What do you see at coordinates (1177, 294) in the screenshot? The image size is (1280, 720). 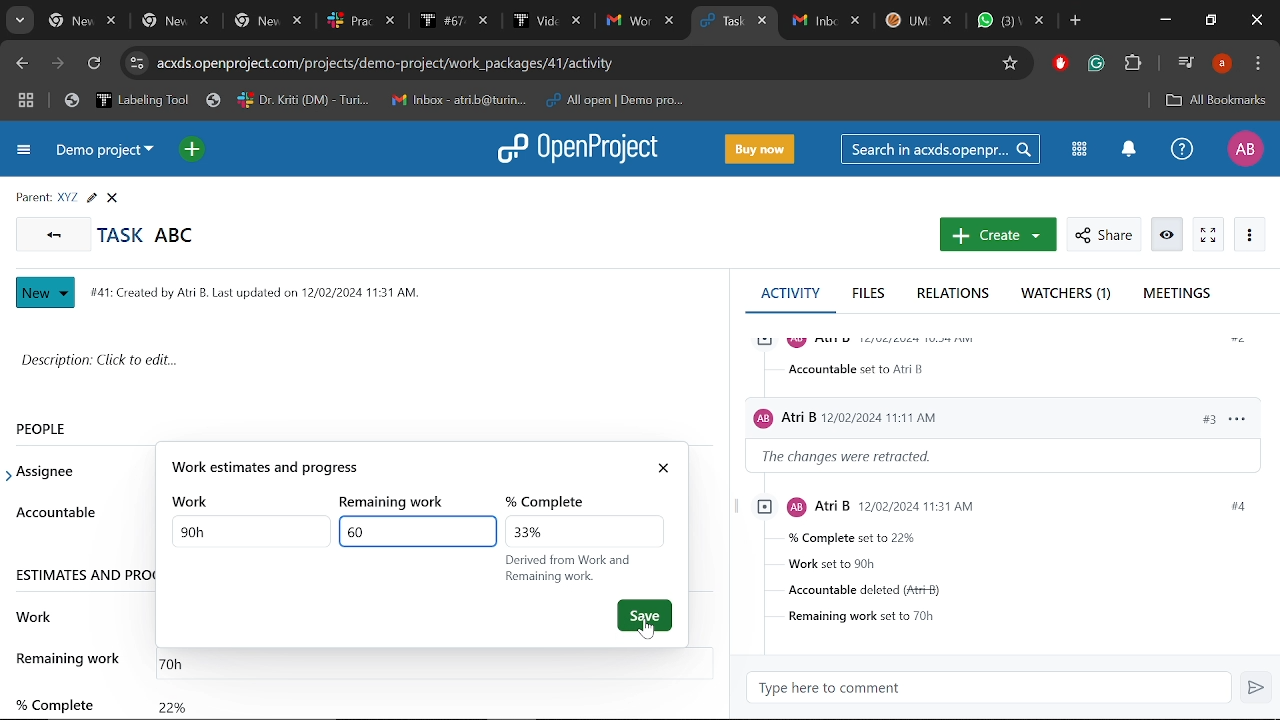 I see `Meetings` at bounding box center [1177, 294].